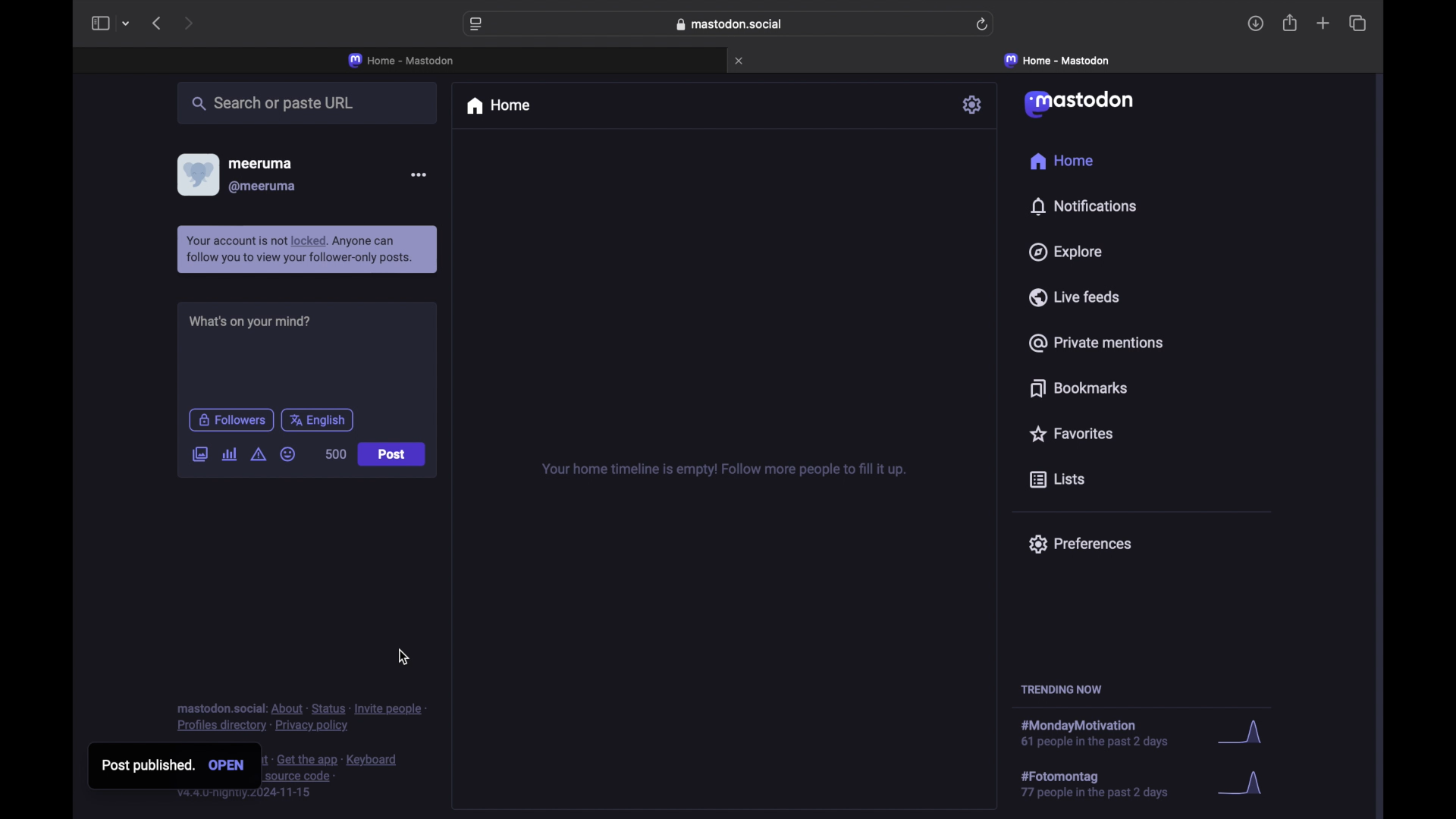 This screenshot has height=819, width=1456. Describe the element at coordinates (1245, 786) in the screenshot. I see `graph` at that location.